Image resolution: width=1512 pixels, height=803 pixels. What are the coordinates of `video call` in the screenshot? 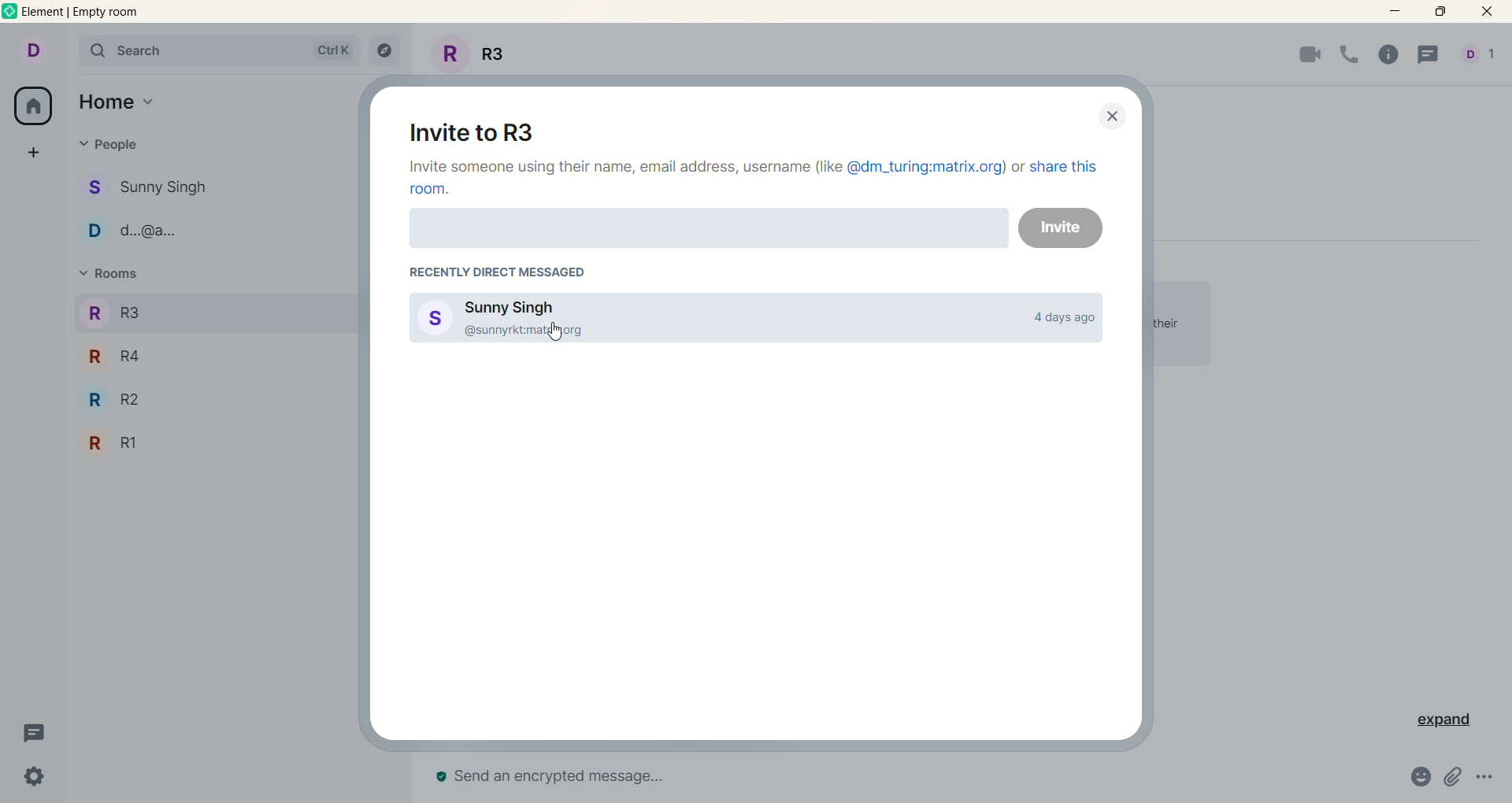 It's located at (1302, 57).